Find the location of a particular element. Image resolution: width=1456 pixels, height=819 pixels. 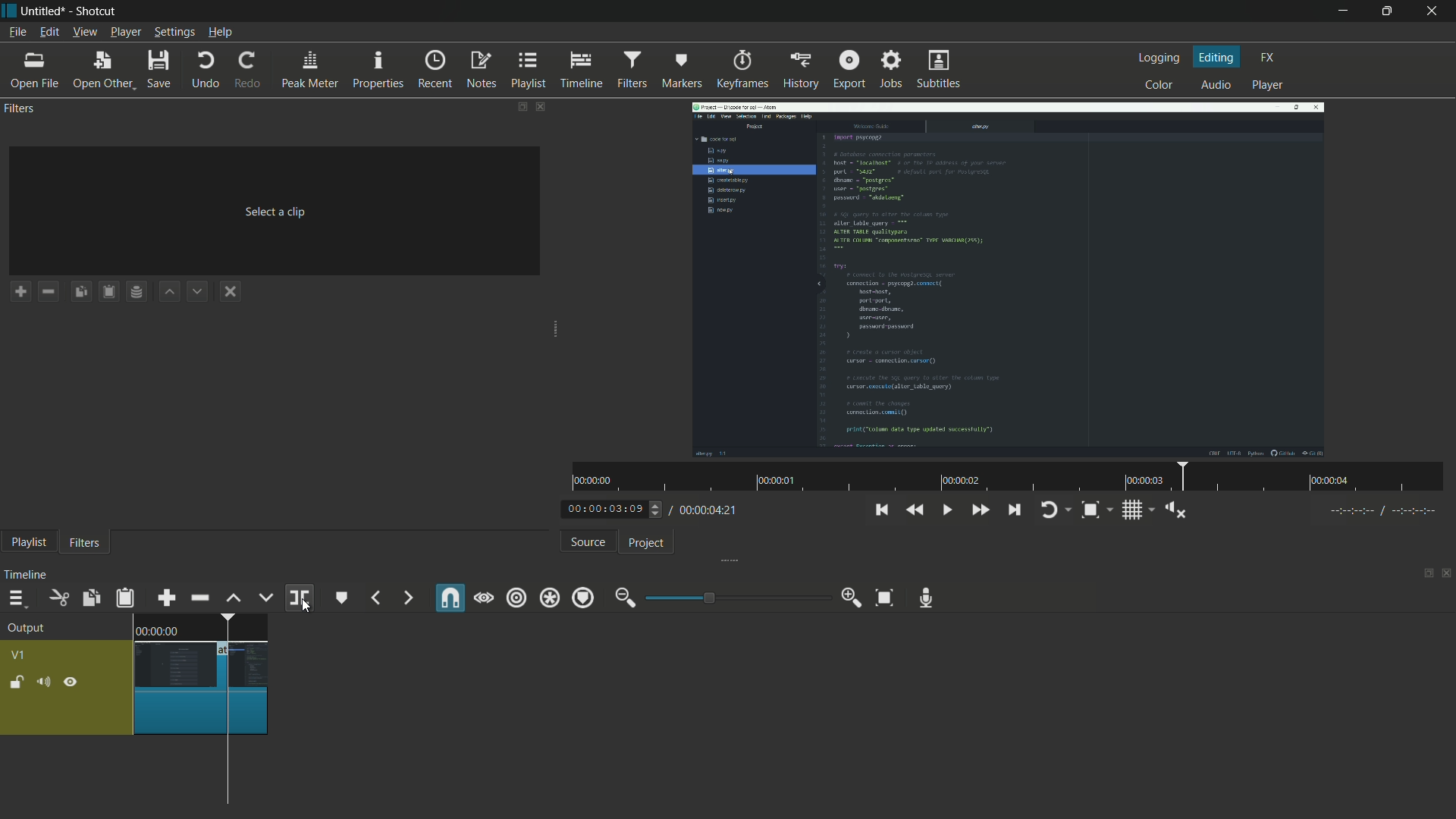

current time is located at coordinates (606, 508).